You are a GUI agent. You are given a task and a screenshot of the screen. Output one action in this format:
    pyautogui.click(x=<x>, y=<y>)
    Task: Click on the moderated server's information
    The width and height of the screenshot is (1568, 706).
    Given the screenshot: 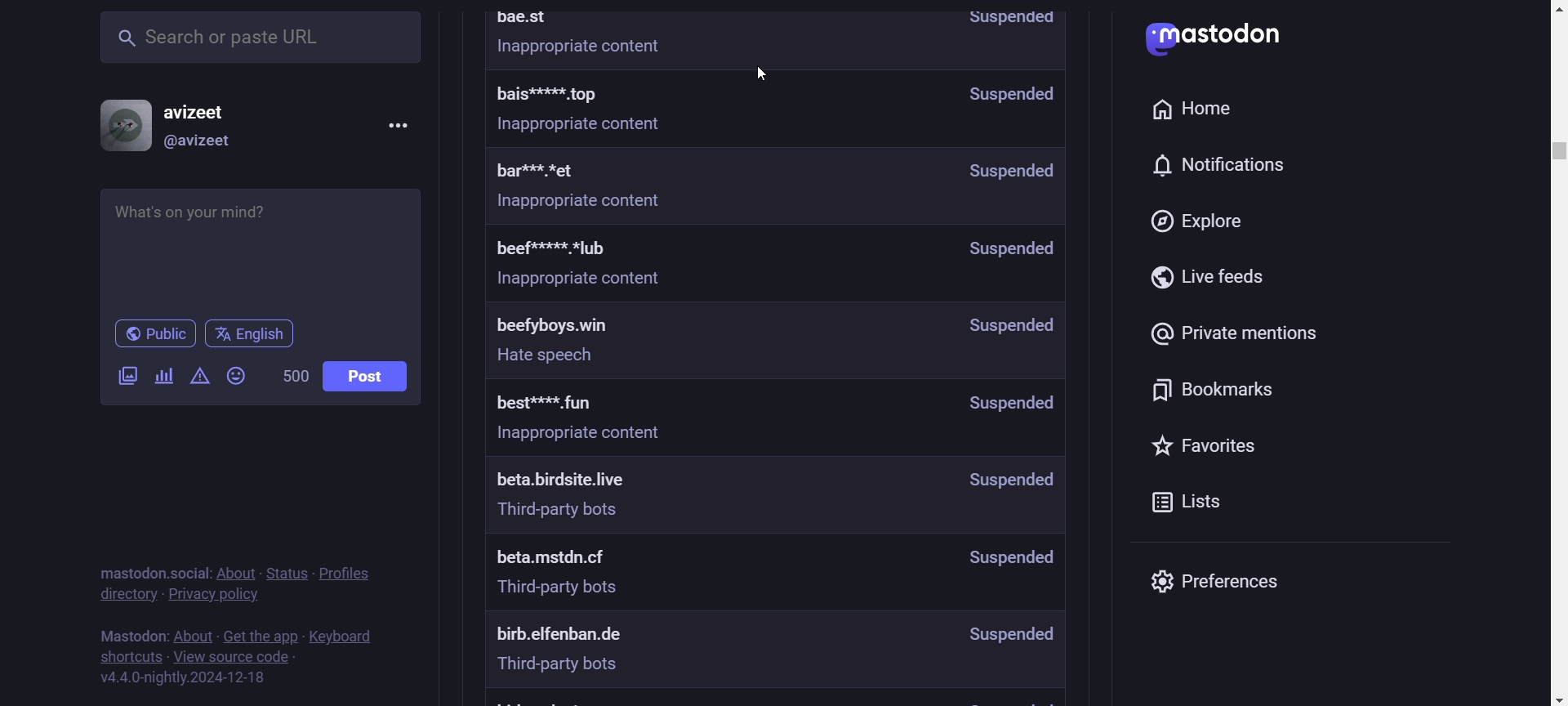 What is the action you would take?
    pyautogui.click(x=771, y=499)
    